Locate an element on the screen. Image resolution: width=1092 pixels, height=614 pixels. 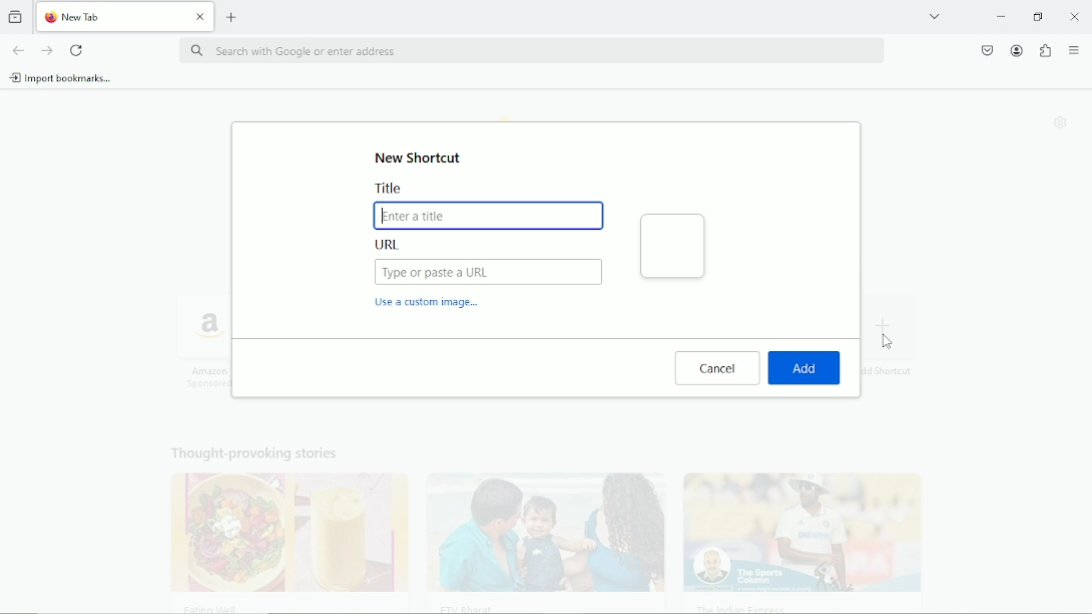
minimize is located at coordinates (999, 17).